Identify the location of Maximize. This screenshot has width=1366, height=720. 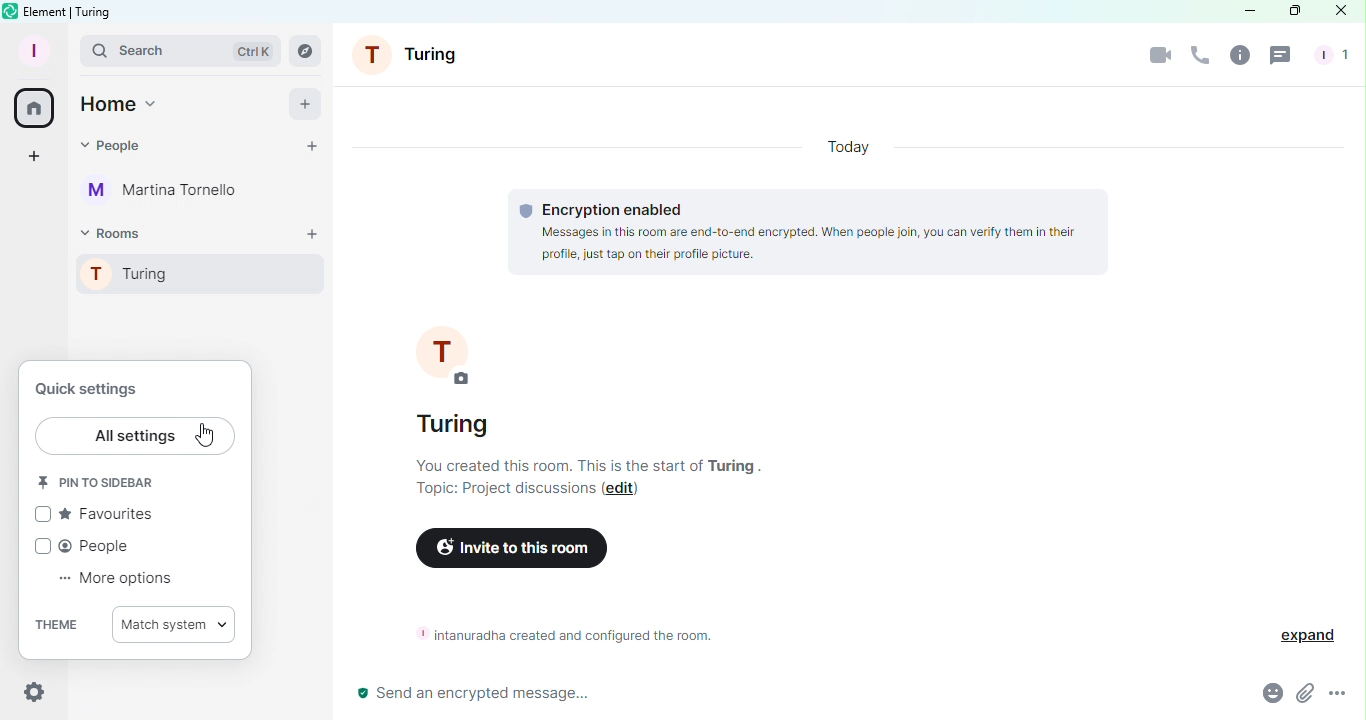
(1290, 12).